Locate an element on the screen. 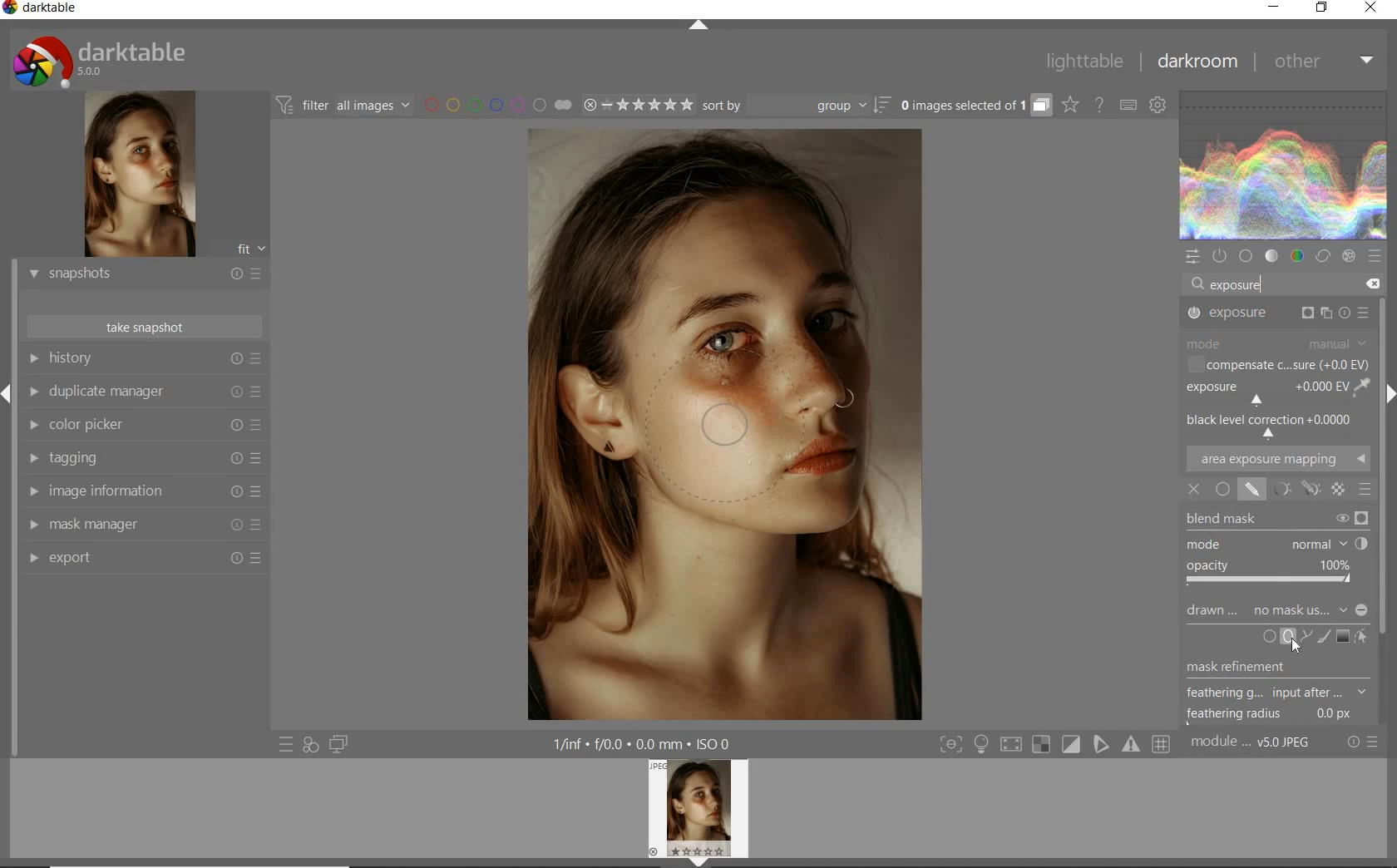  history is located at coordinates (142, 360).